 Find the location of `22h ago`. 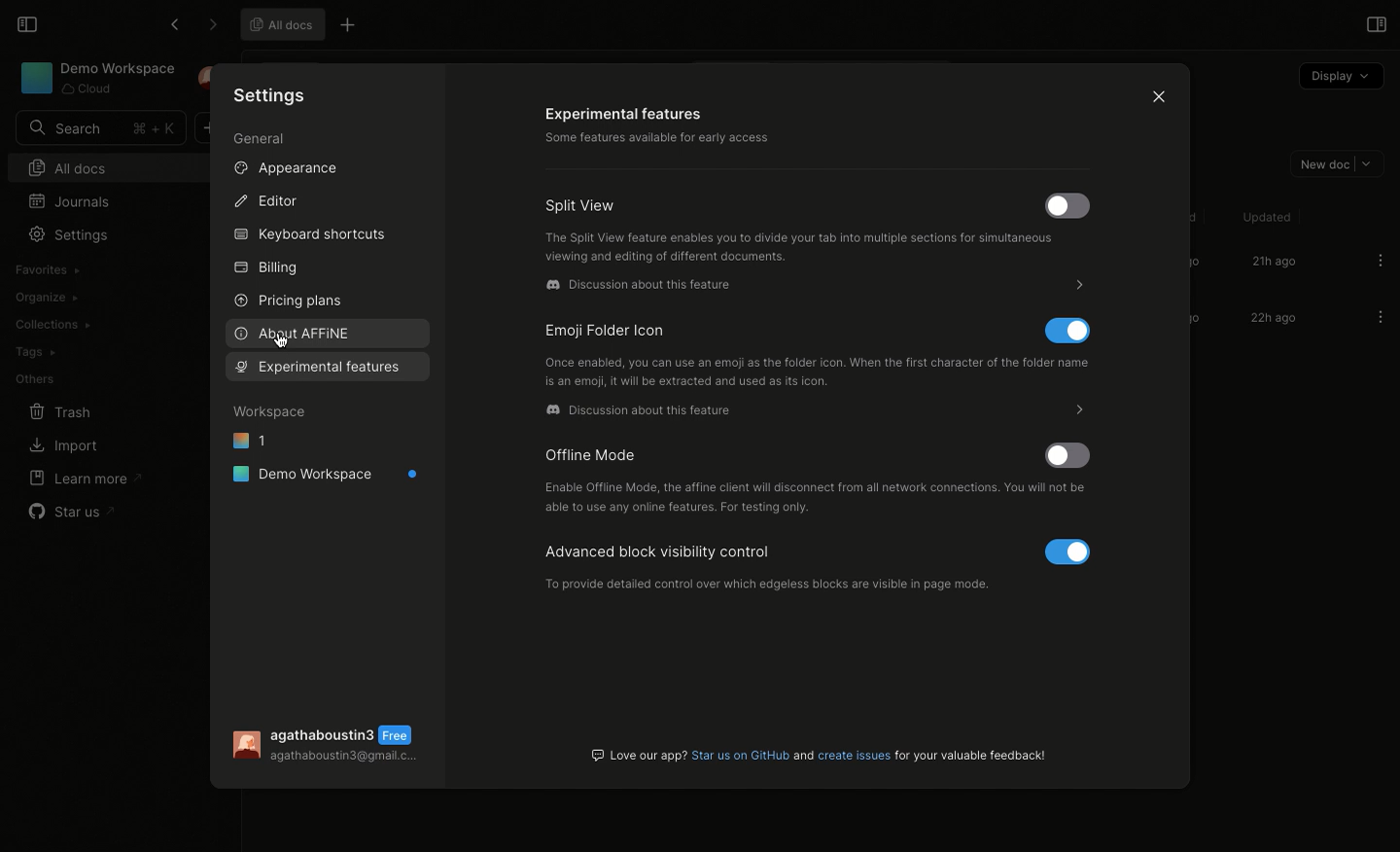

22h ago is located at coordinates (1271, 320).